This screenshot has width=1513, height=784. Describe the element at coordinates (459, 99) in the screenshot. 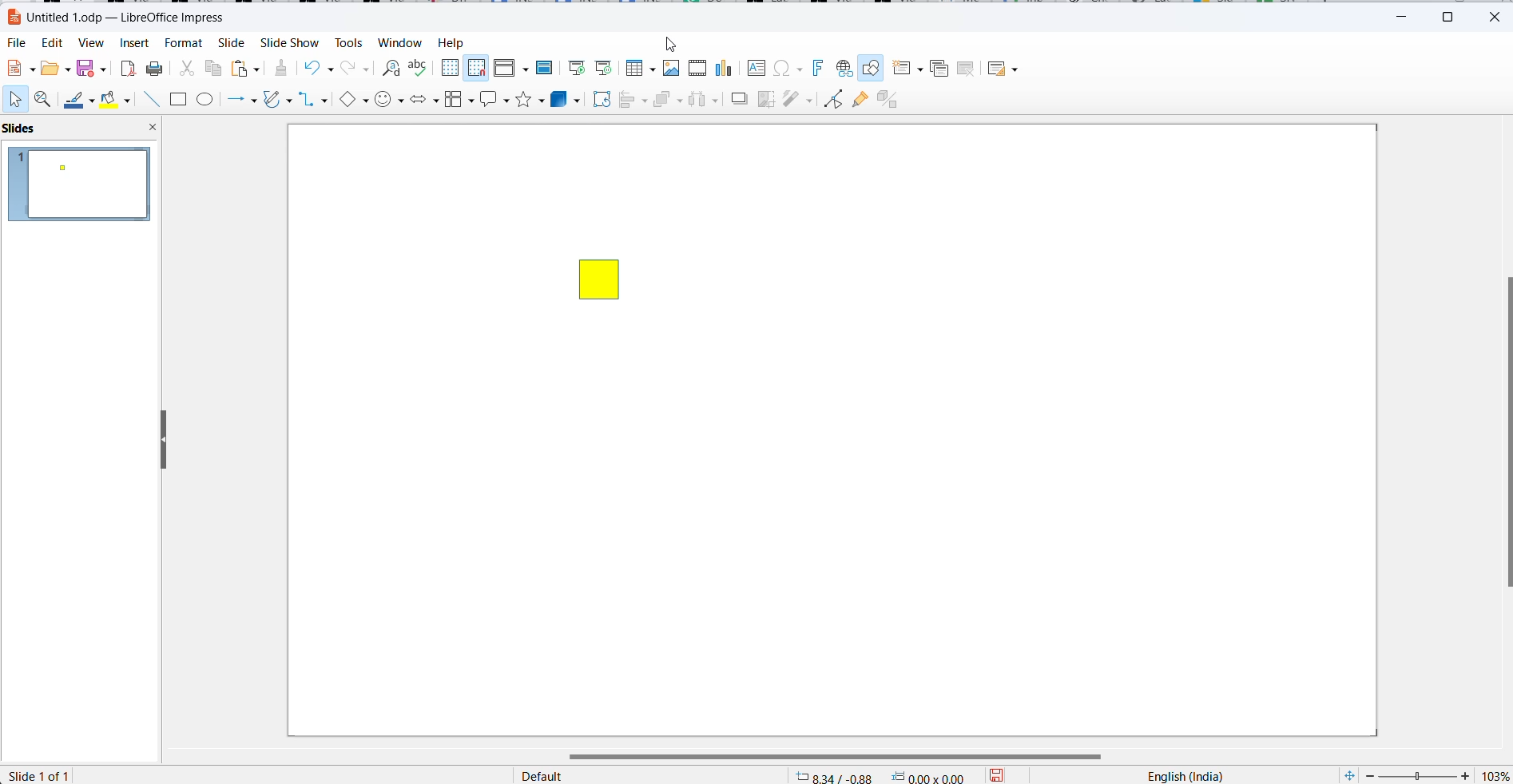

I see `flowchart ` at that location.